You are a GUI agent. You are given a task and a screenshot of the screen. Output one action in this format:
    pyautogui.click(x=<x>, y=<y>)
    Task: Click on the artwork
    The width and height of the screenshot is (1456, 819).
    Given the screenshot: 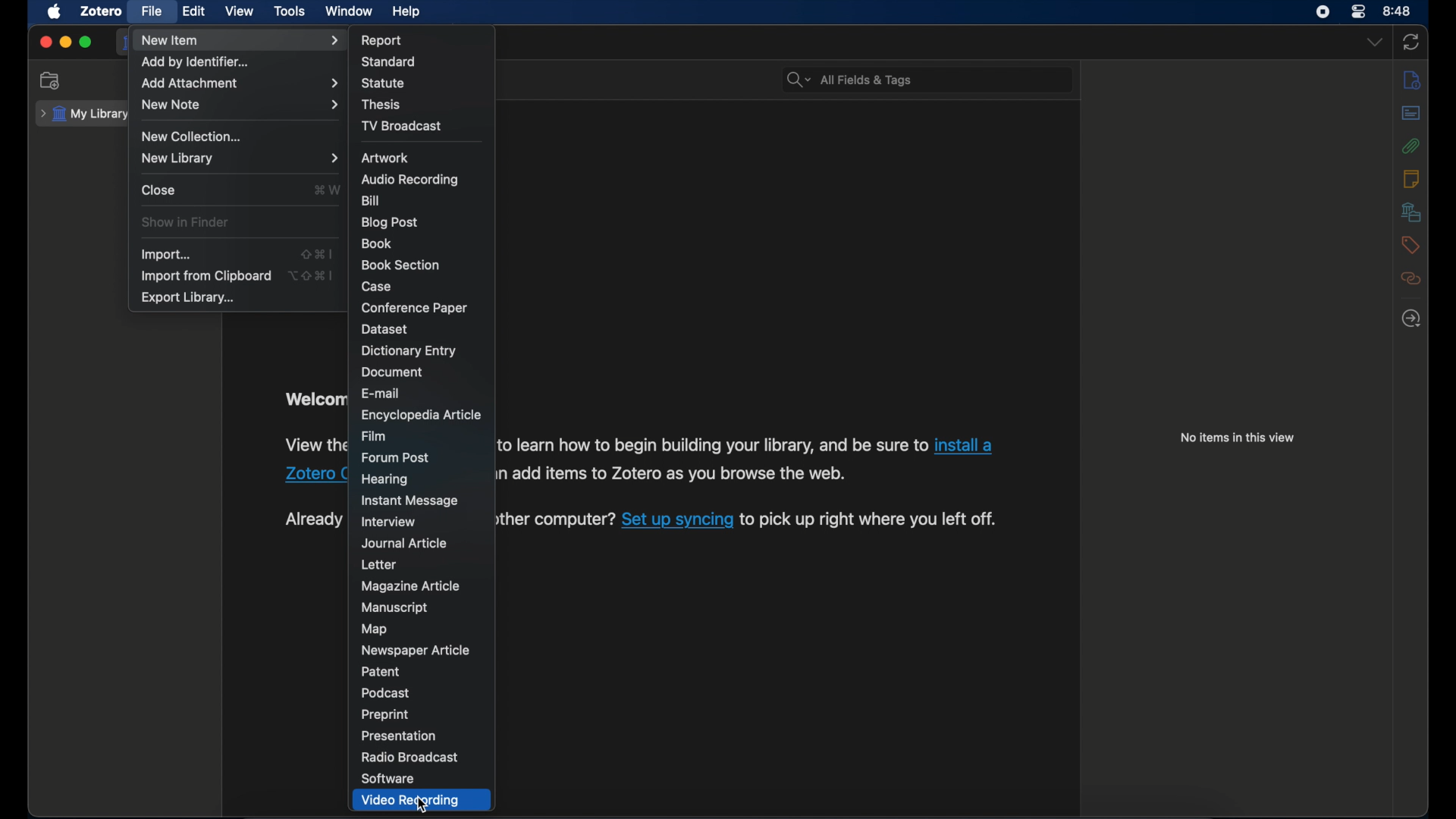 What is the action you would take?
    pyautogui.click(x=386, y=158)
    